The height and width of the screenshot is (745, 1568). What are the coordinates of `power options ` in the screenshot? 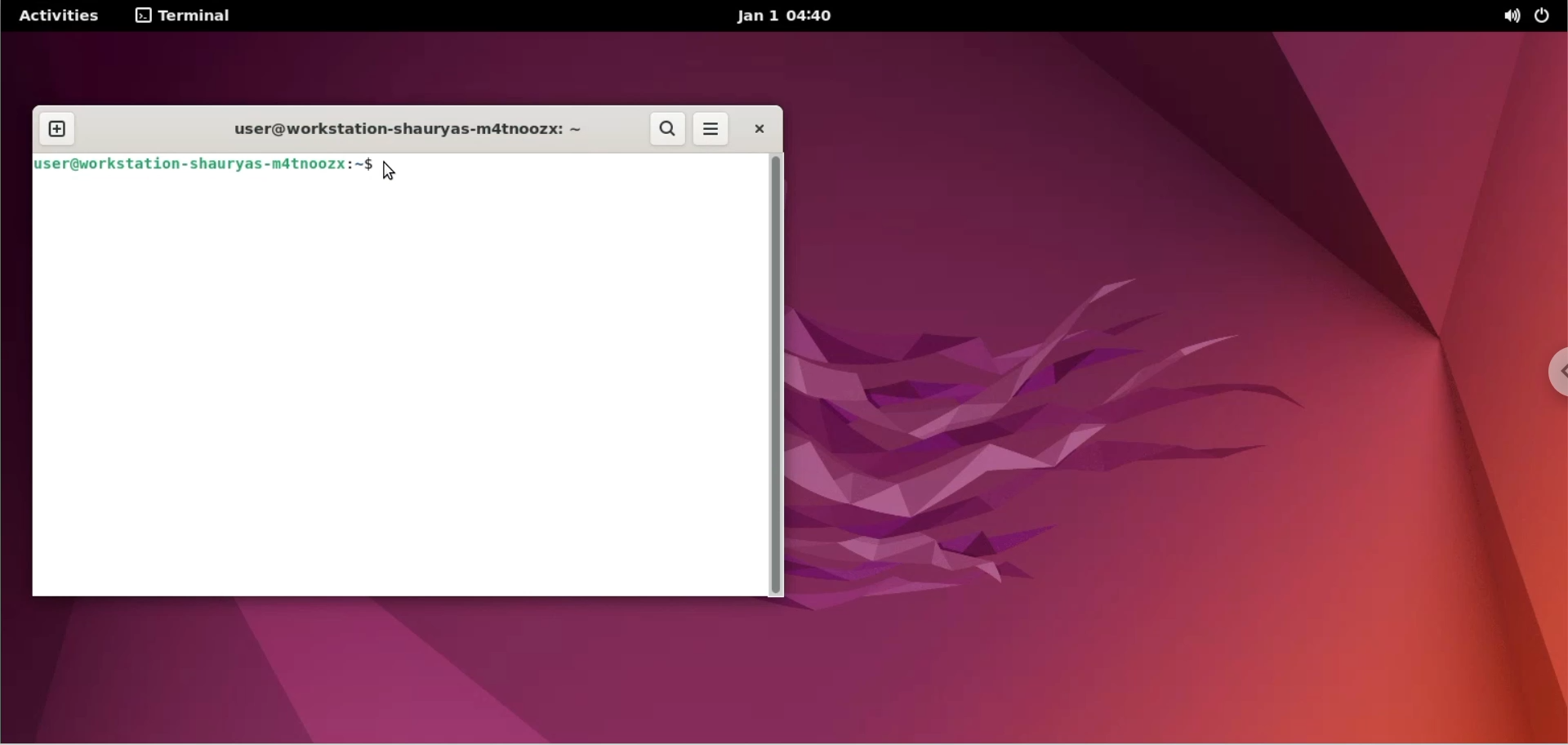 It's located at (1547, 16).